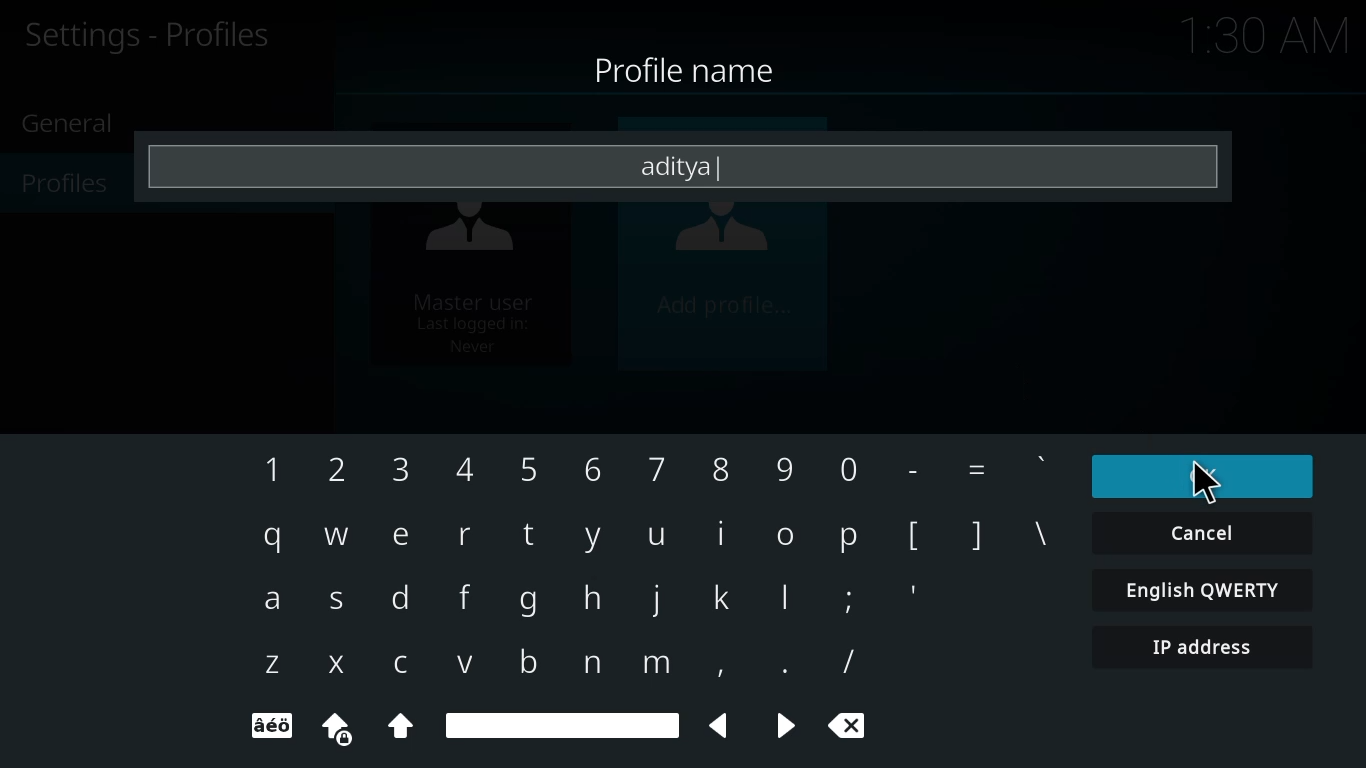 The width and height of the screenshot is (1366, 768). Describe the element at coordinates (403, 538) in the screenshot. I see `e` at that location.